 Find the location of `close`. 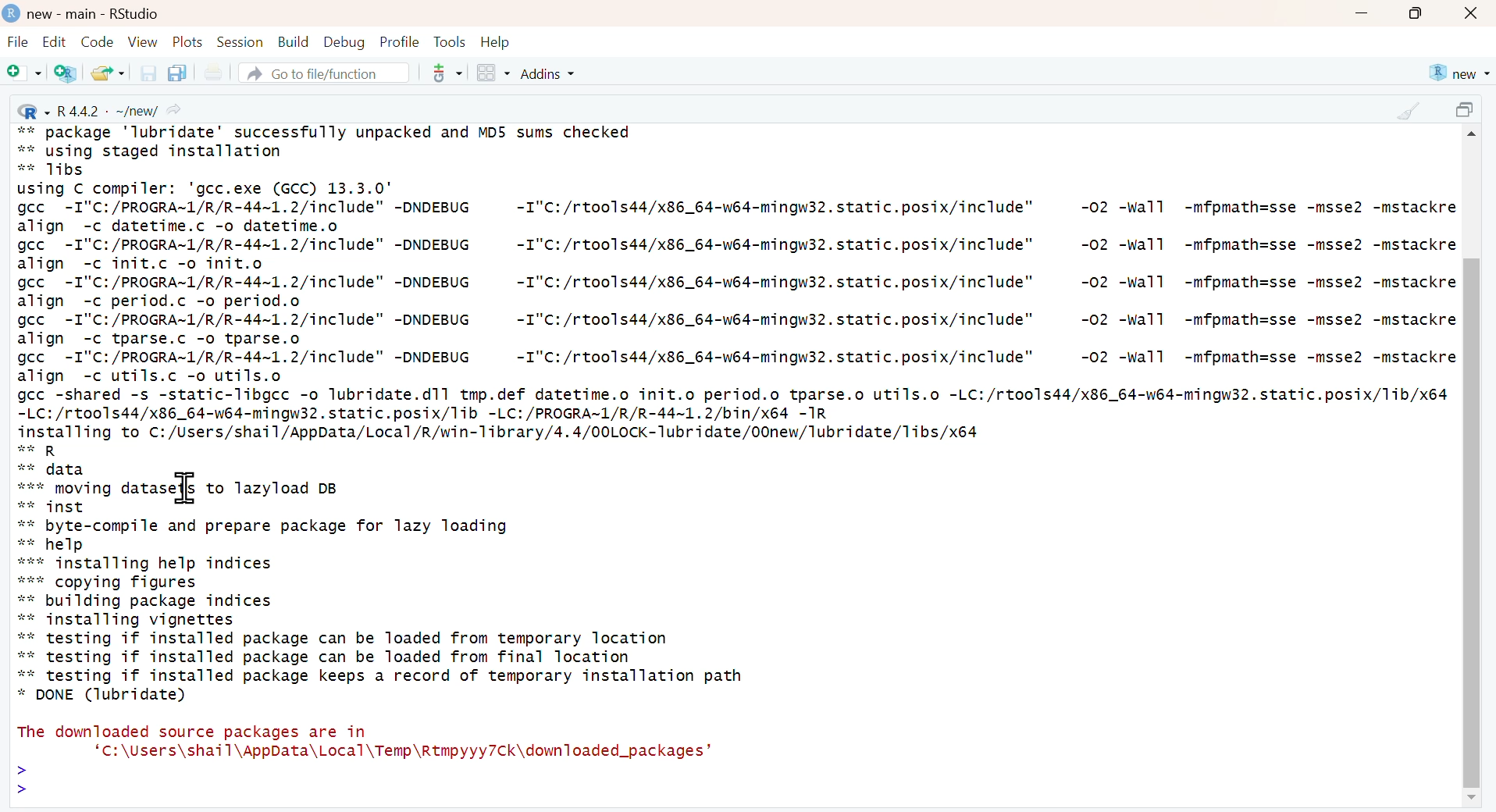

close is located at coordinates (1473, 14).